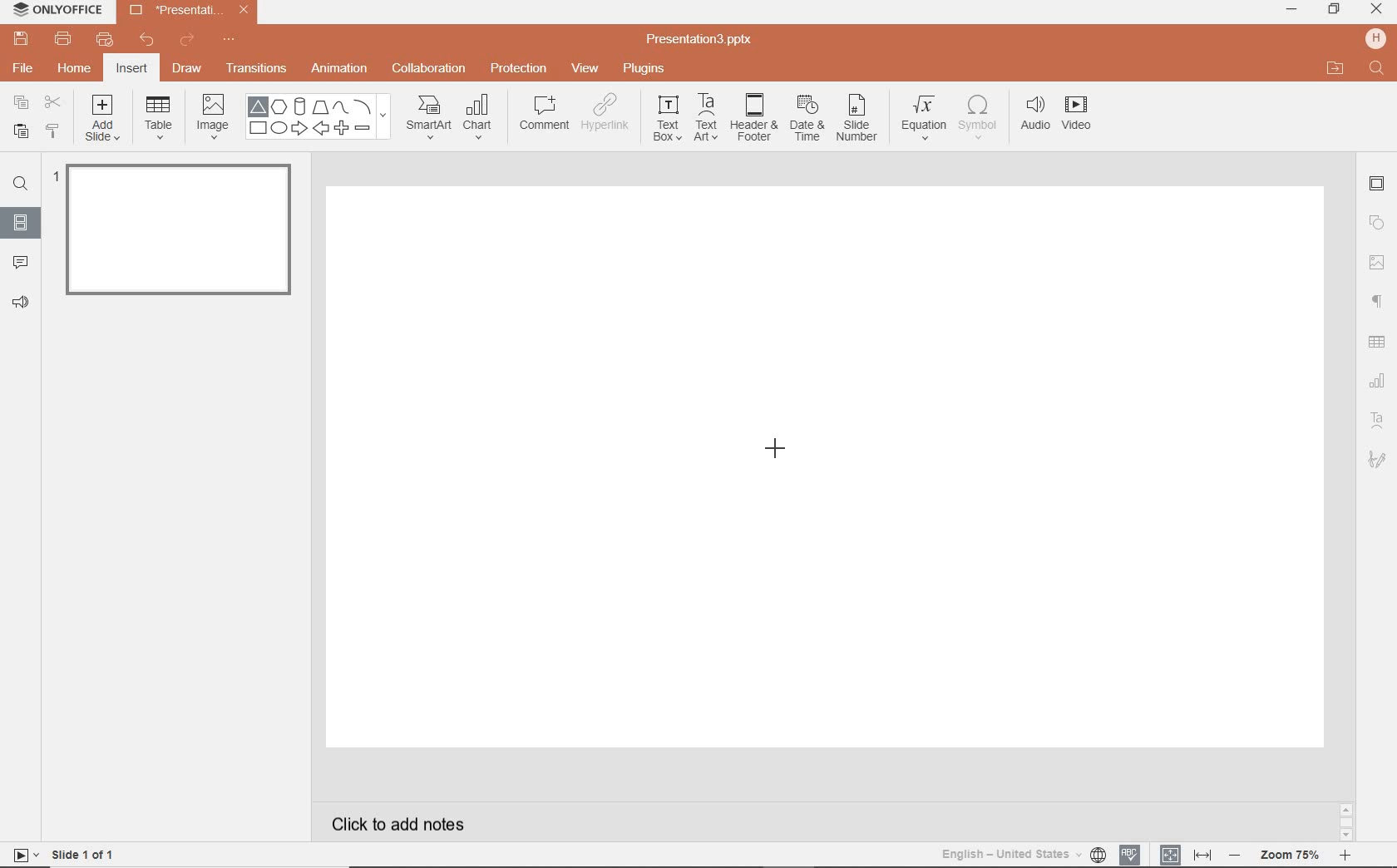  Describe the element at coordinates (1134, 852) in the screenshot. I see `SPELL CHECKING` at that location.